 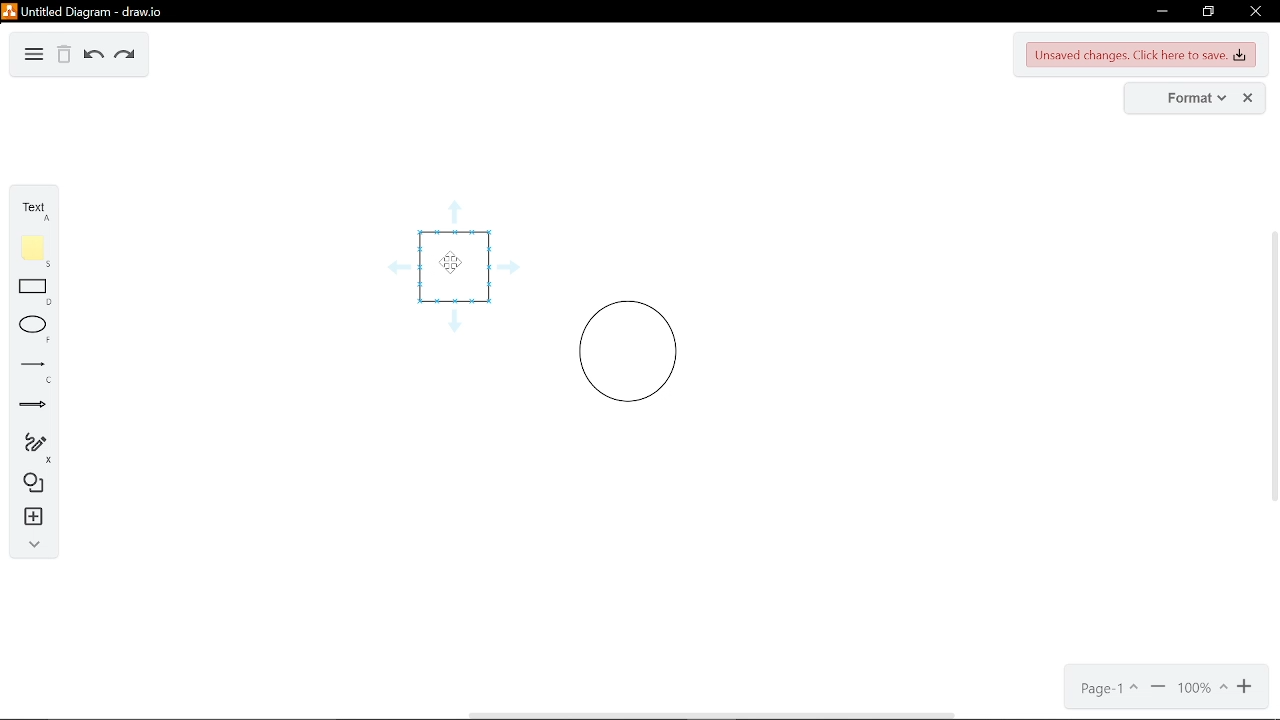 I want to click on Unsaved changes. Click here to save, so click(x=1142, y=56).